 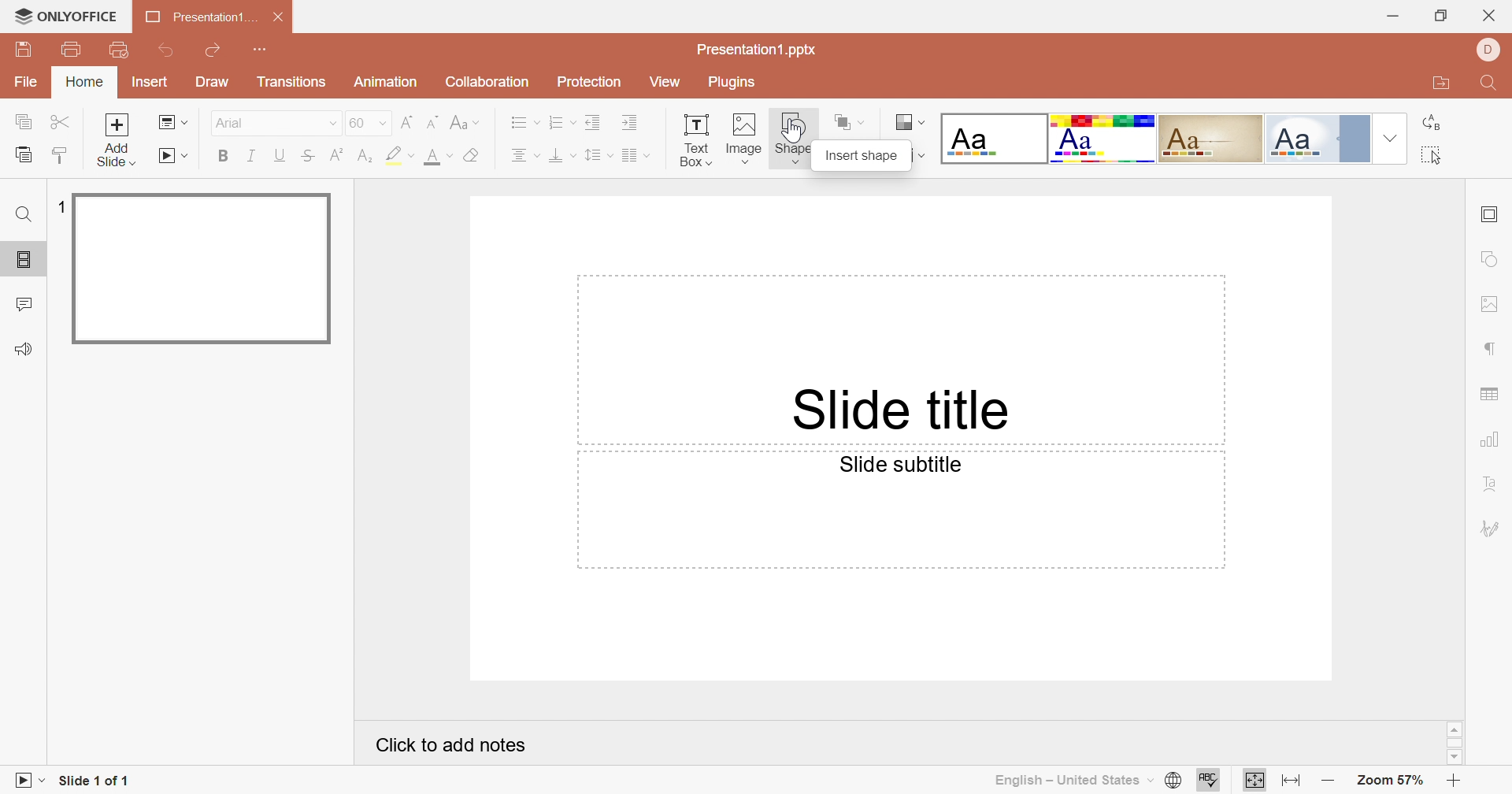 What do you see at coordinates (210, 80) in the screenshot?
I see `Draw` at bounding box center [210, 80].